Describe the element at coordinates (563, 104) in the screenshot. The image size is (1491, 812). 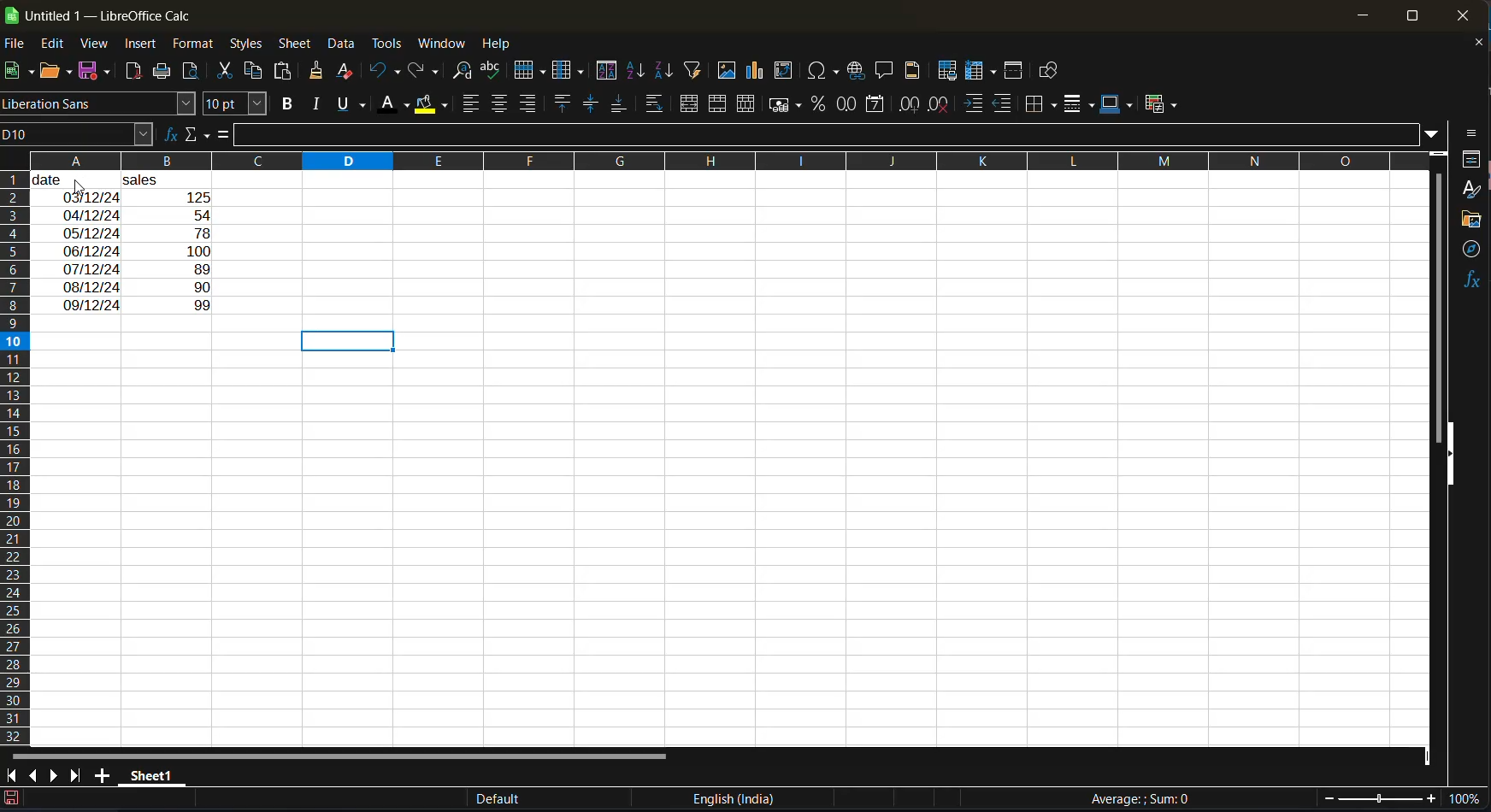
I see `align top` at that location.